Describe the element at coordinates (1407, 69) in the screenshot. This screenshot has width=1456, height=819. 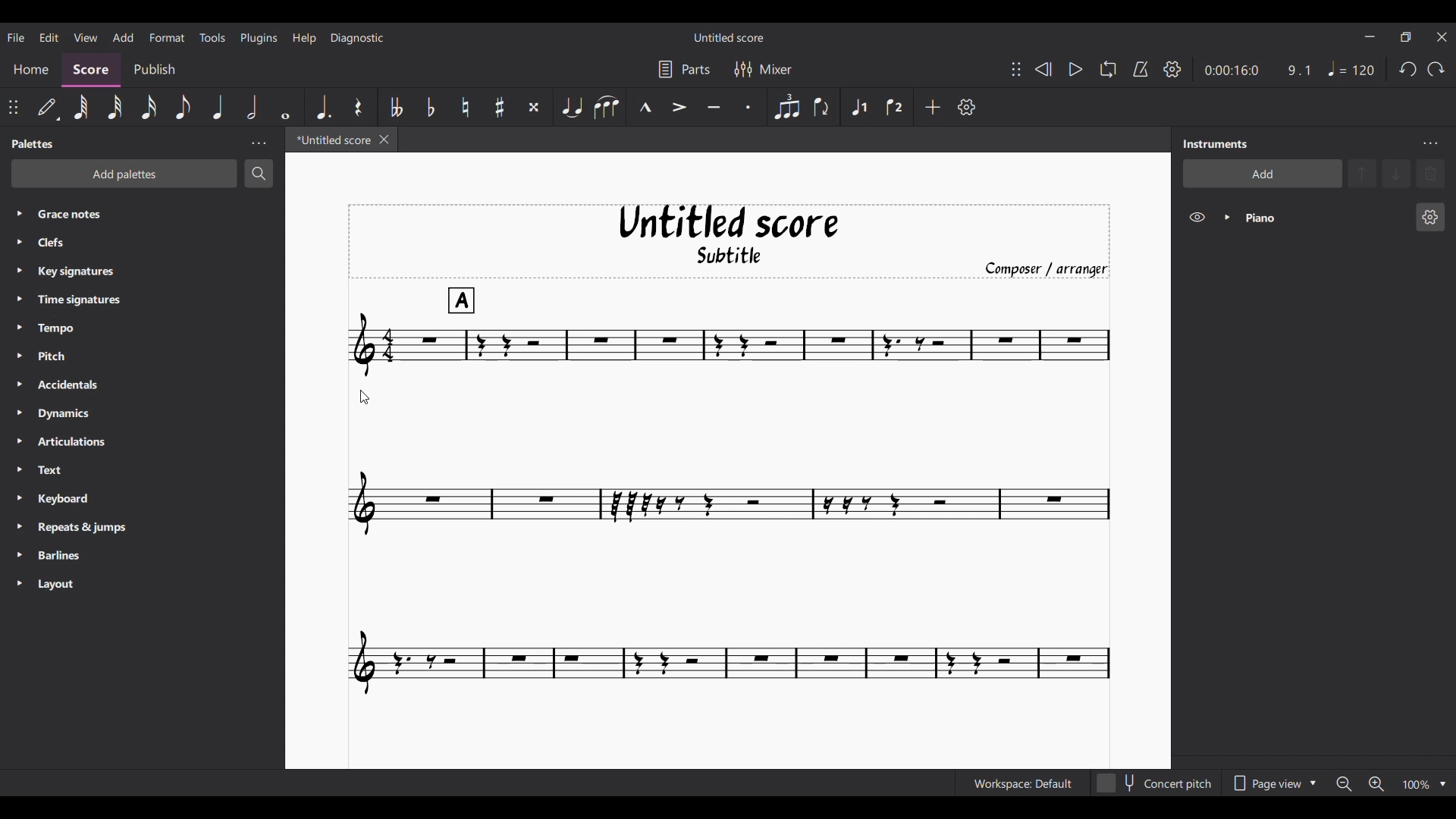
I see `Undo` at that location.